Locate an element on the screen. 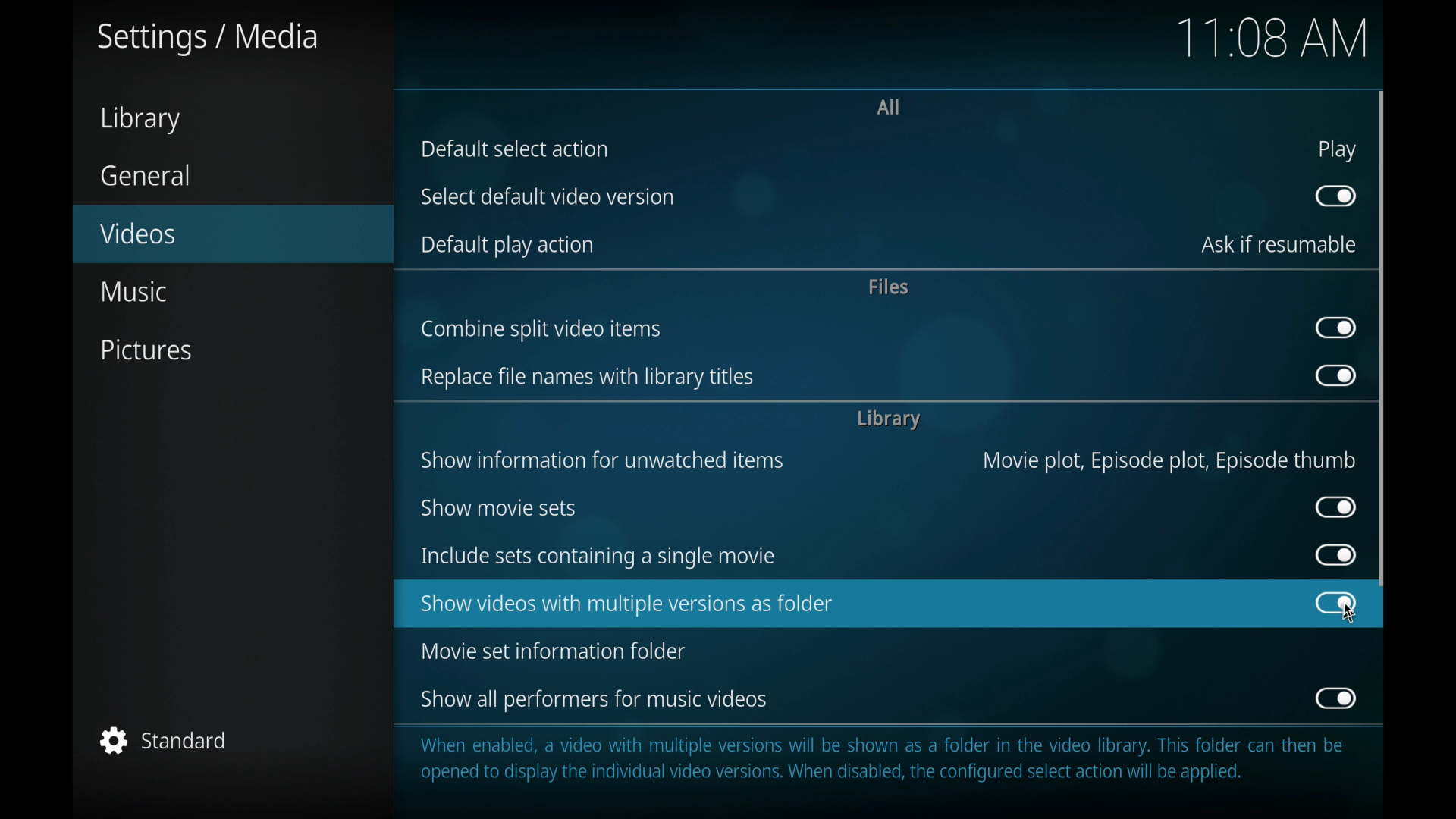 The height and width of the screenshot is (819, 1456). scroll b ox is located at coordinates (1382, 338).